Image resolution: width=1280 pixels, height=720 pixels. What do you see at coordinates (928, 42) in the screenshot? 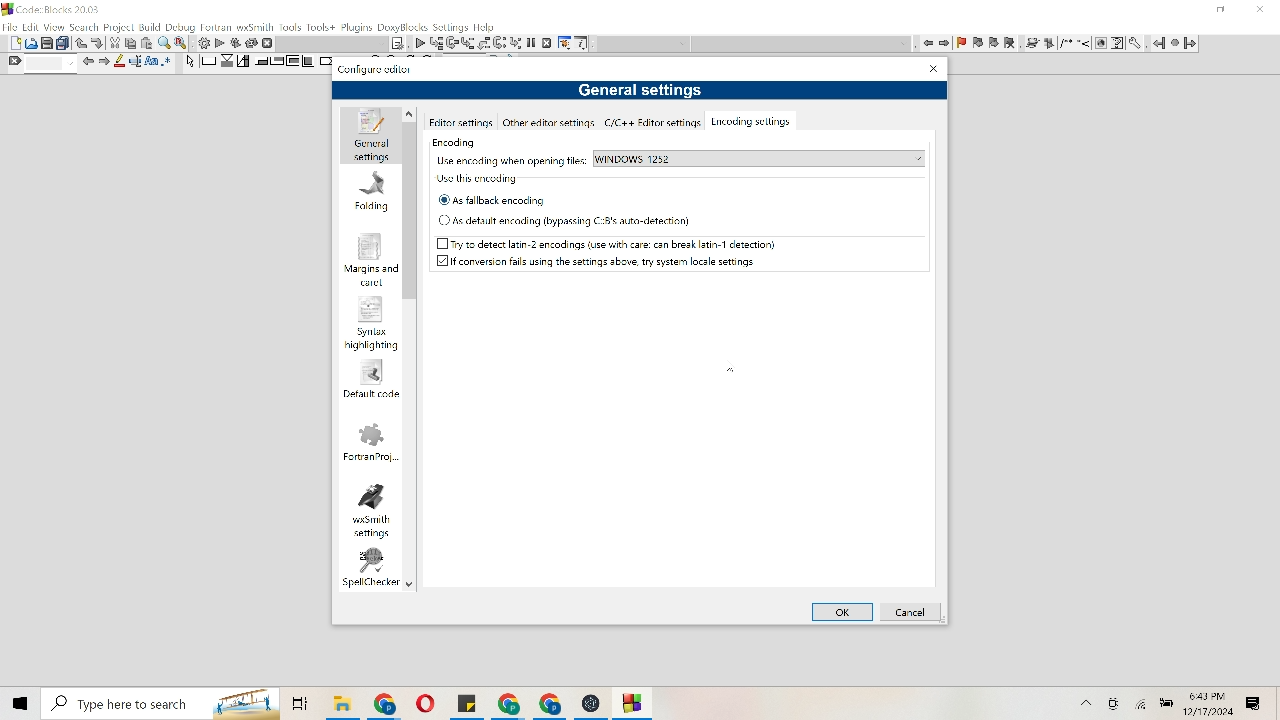
I see `Move left` at bounding box center [928, 42].